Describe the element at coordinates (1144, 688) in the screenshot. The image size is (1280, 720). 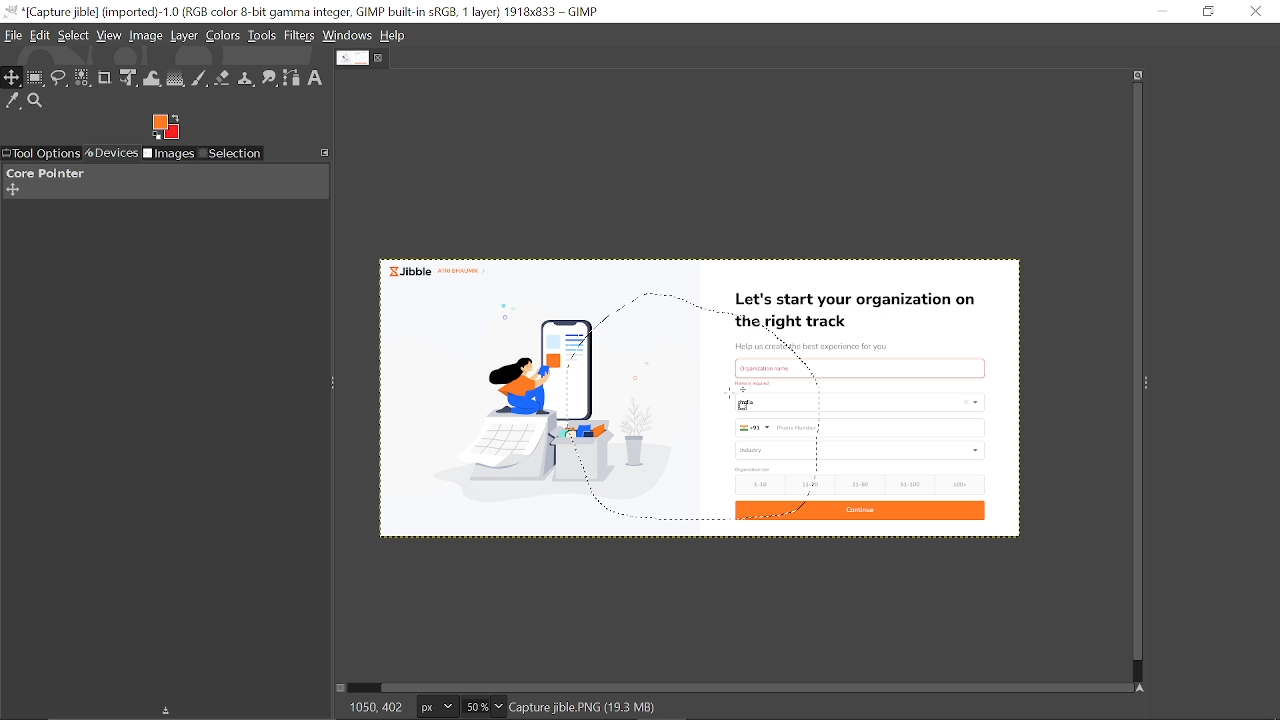
I see `Navigate this window` at that location.